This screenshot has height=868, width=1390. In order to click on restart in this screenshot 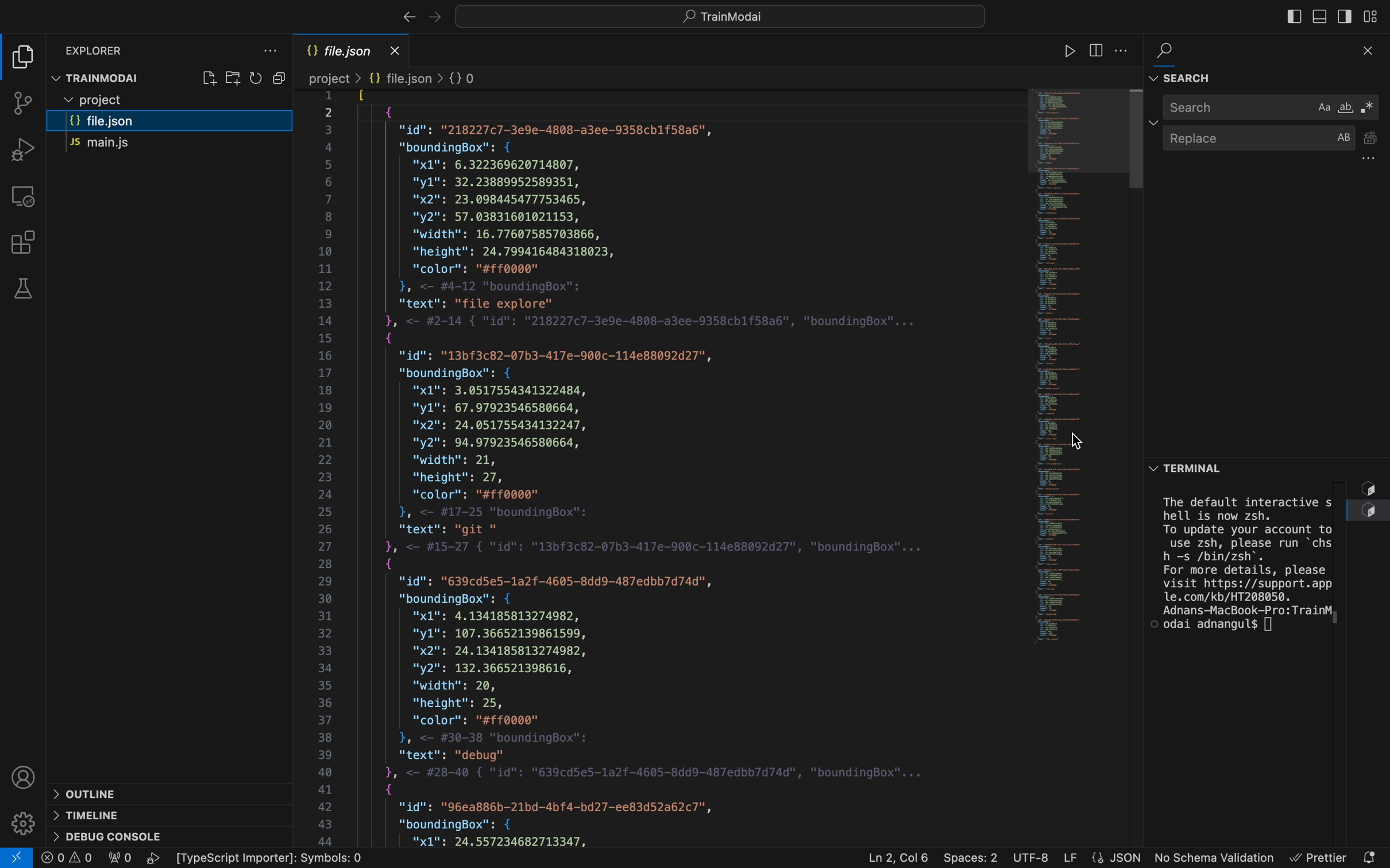, I will do `click(256, 78)`.